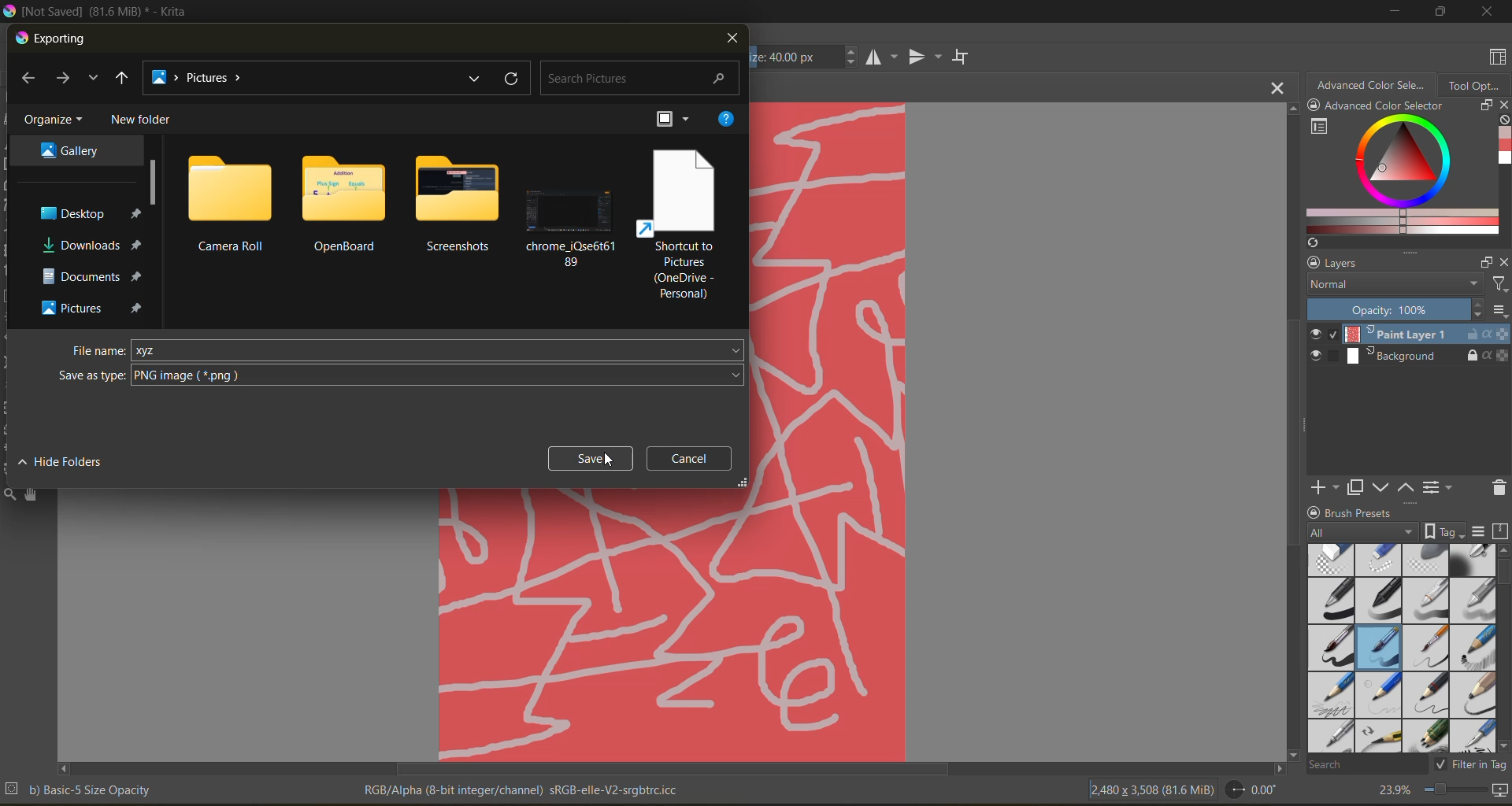  I want to click on folder destination, so click(72, 149).